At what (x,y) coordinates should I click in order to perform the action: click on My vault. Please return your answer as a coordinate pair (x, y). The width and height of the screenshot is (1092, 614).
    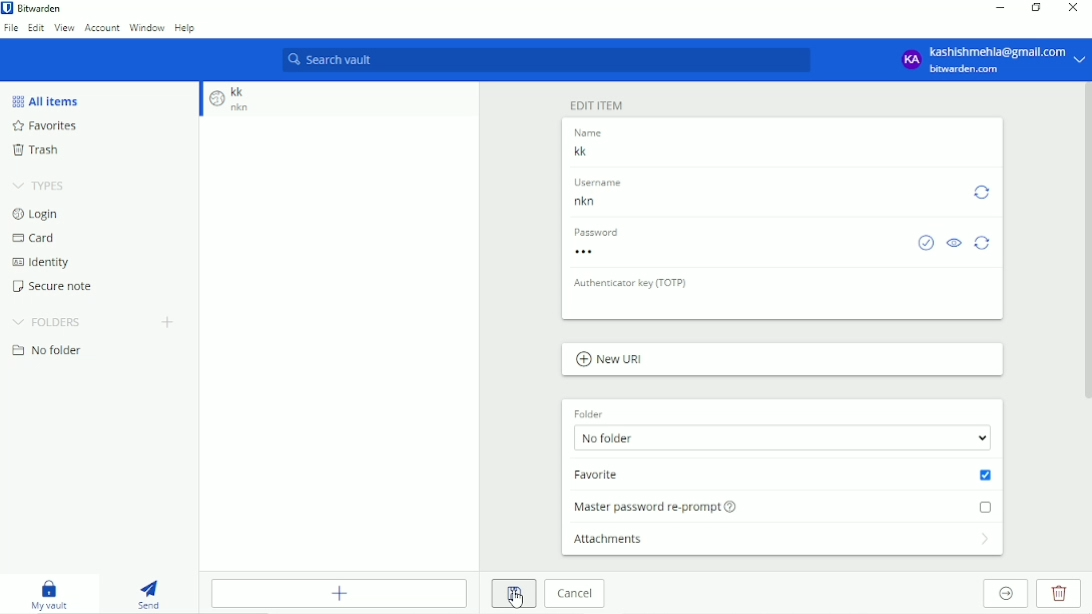
    Looking at the image, I should click on (50, 595).